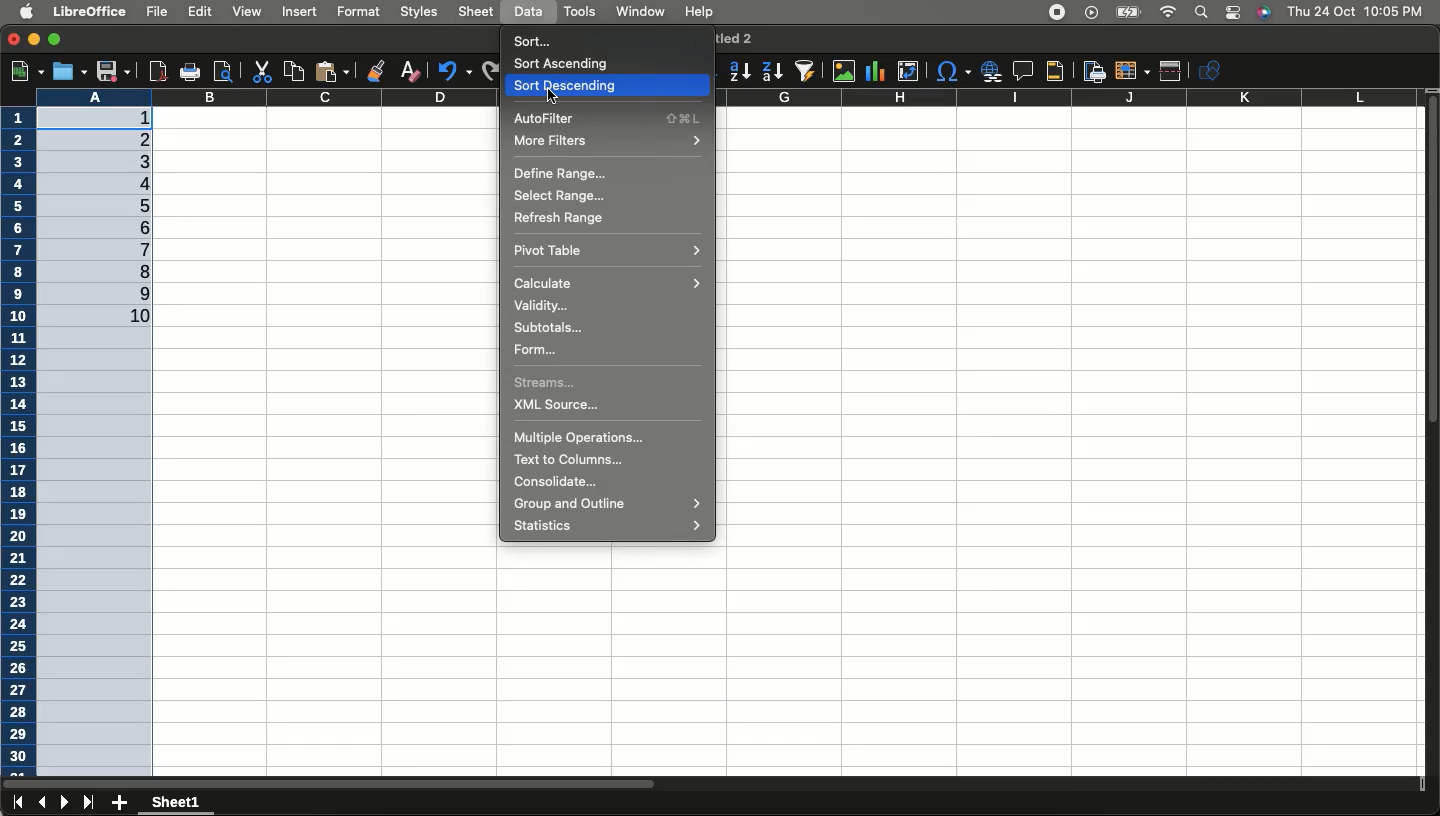 Image resolution: width=1440 pixels, height=816 pixels. I want to click on Subtotals..., so click(551, 328).